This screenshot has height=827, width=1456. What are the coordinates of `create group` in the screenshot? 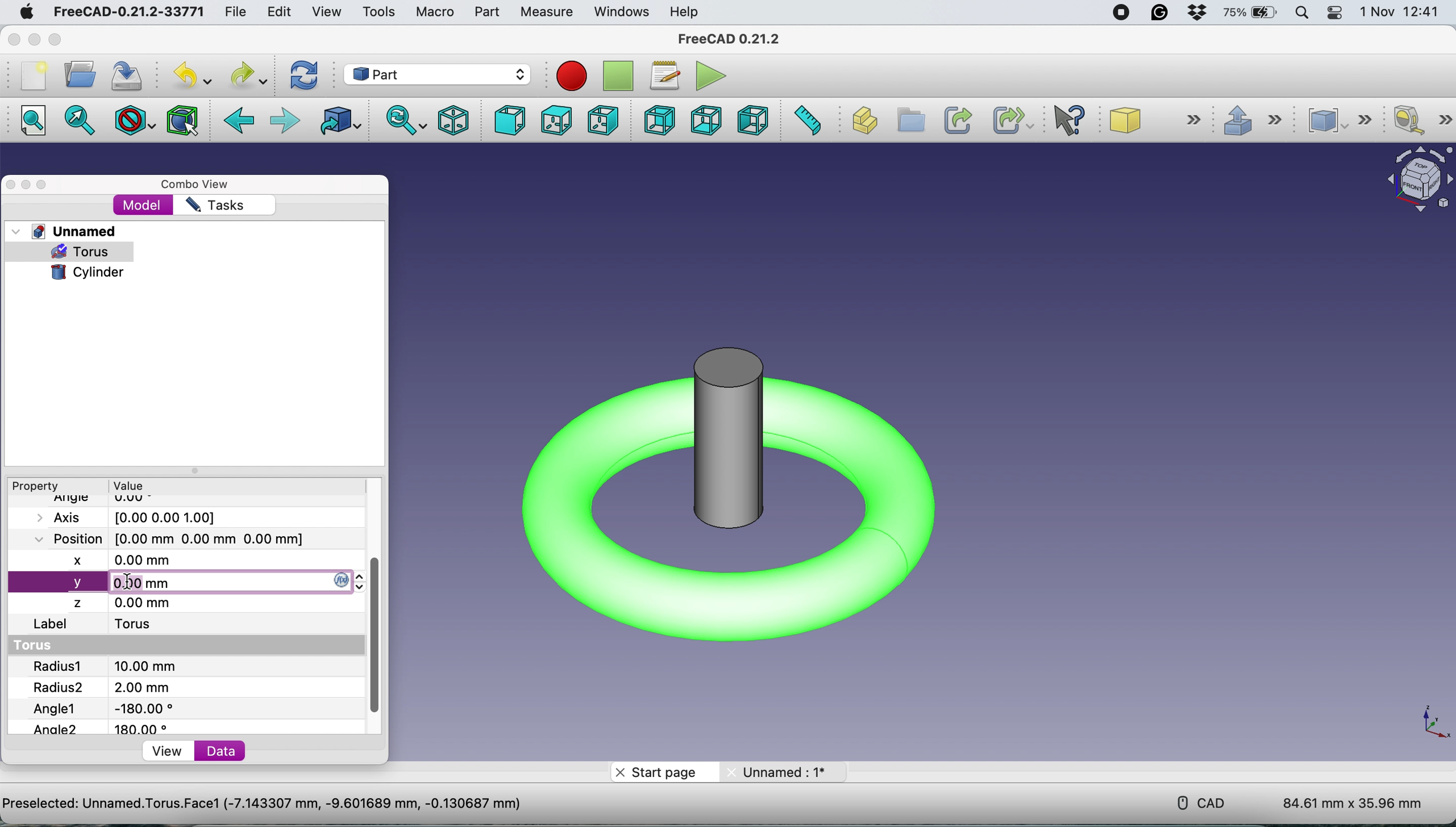 It's located at (912, 121).